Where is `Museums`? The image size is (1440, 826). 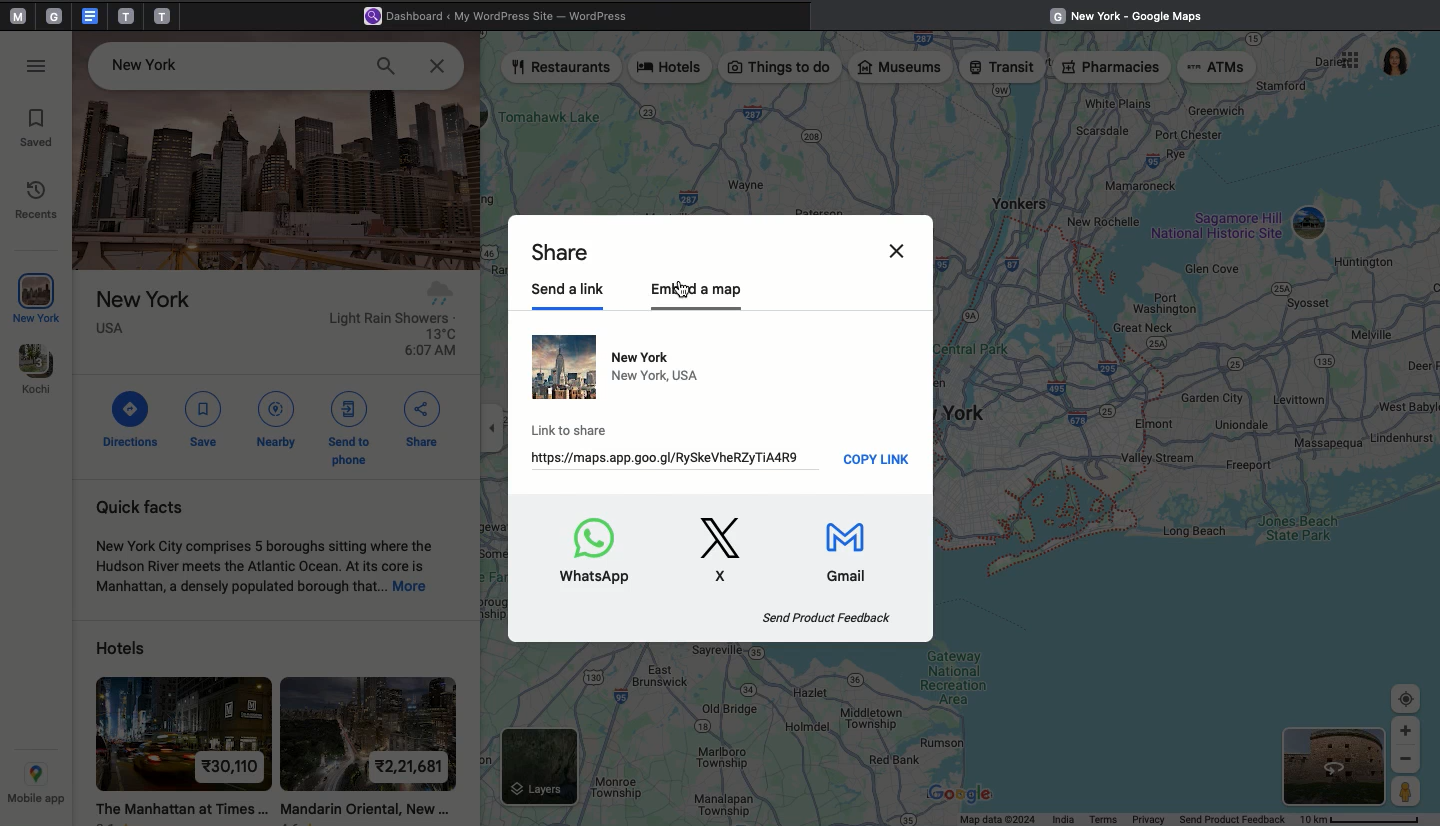
Museums is located at coordinates (902, 69).